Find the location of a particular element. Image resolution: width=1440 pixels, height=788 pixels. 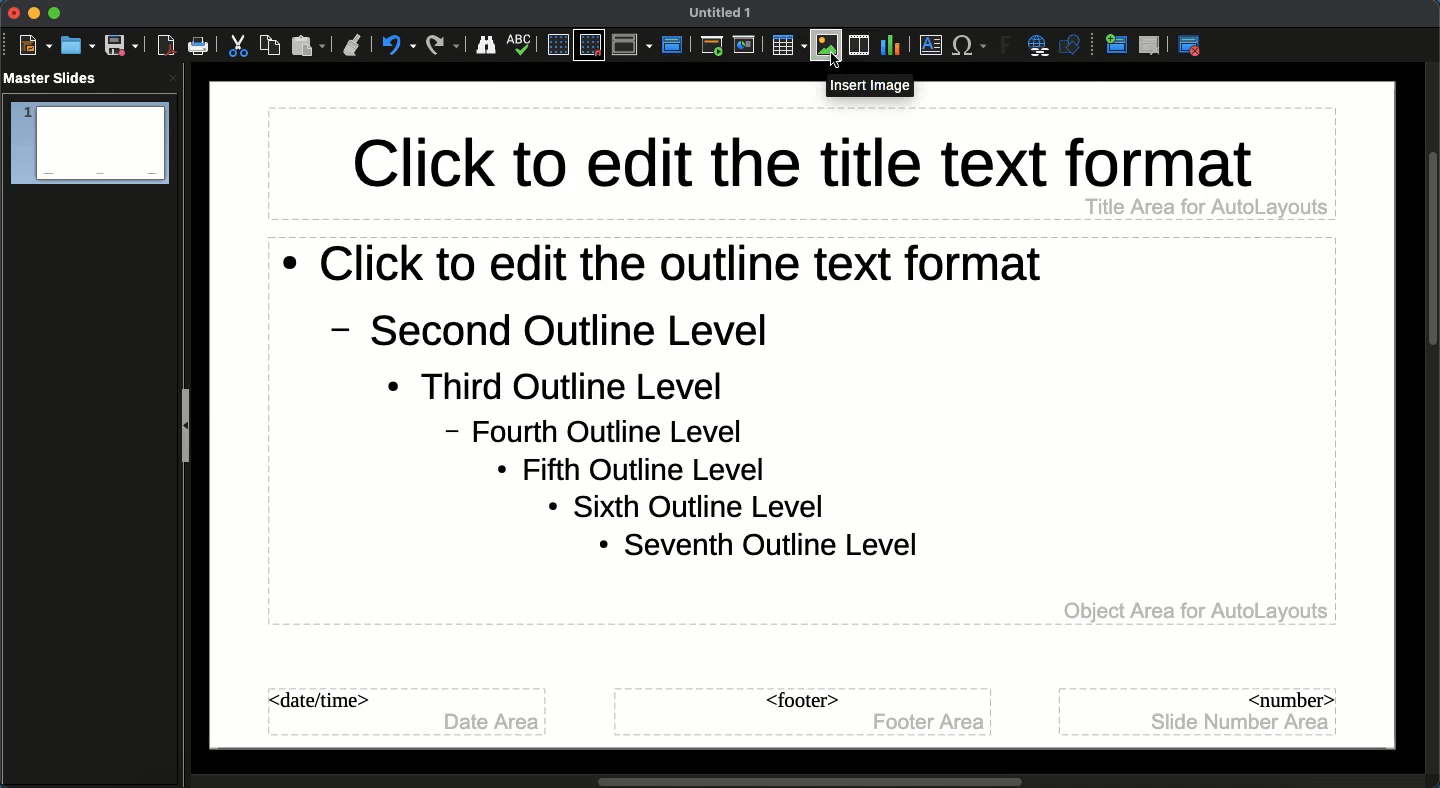

New is located at coordinates (32, 45).